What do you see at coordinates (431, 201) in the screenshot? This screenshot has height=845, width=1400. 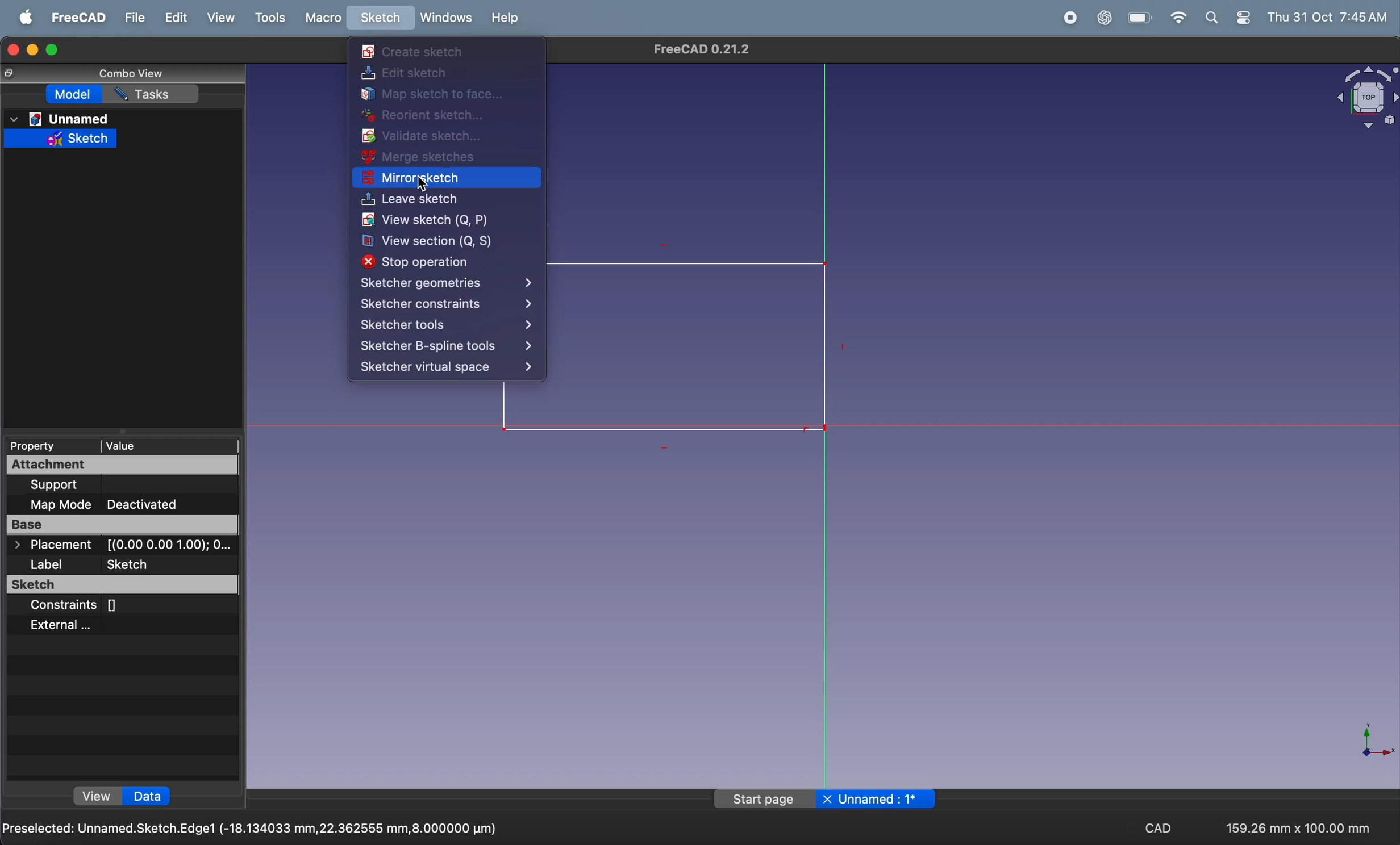 I see `leave sketch` at bounding box center [431, 201].